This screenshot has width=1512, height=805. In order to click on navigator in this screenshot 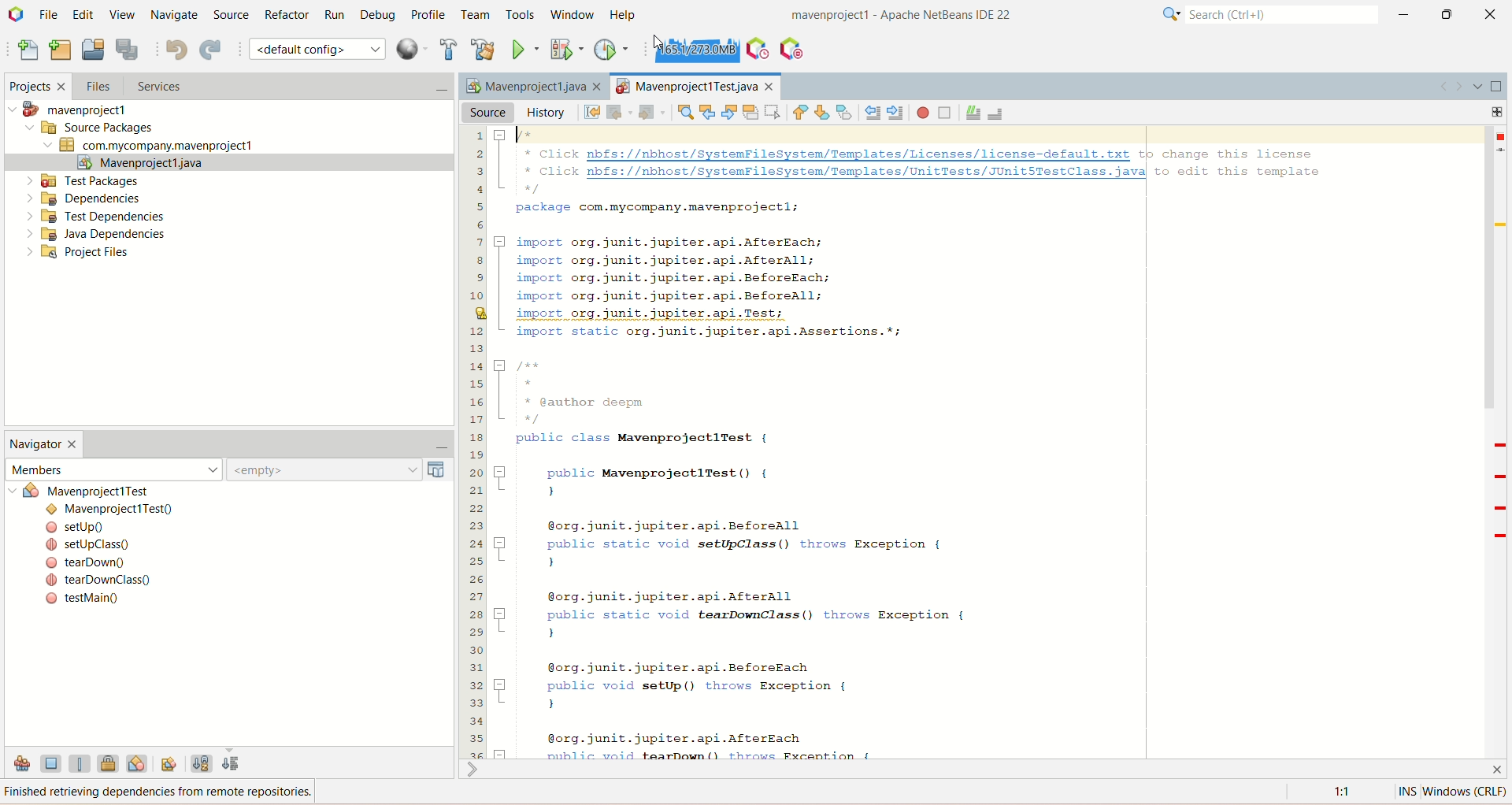, I will do `click(44, 447)`.